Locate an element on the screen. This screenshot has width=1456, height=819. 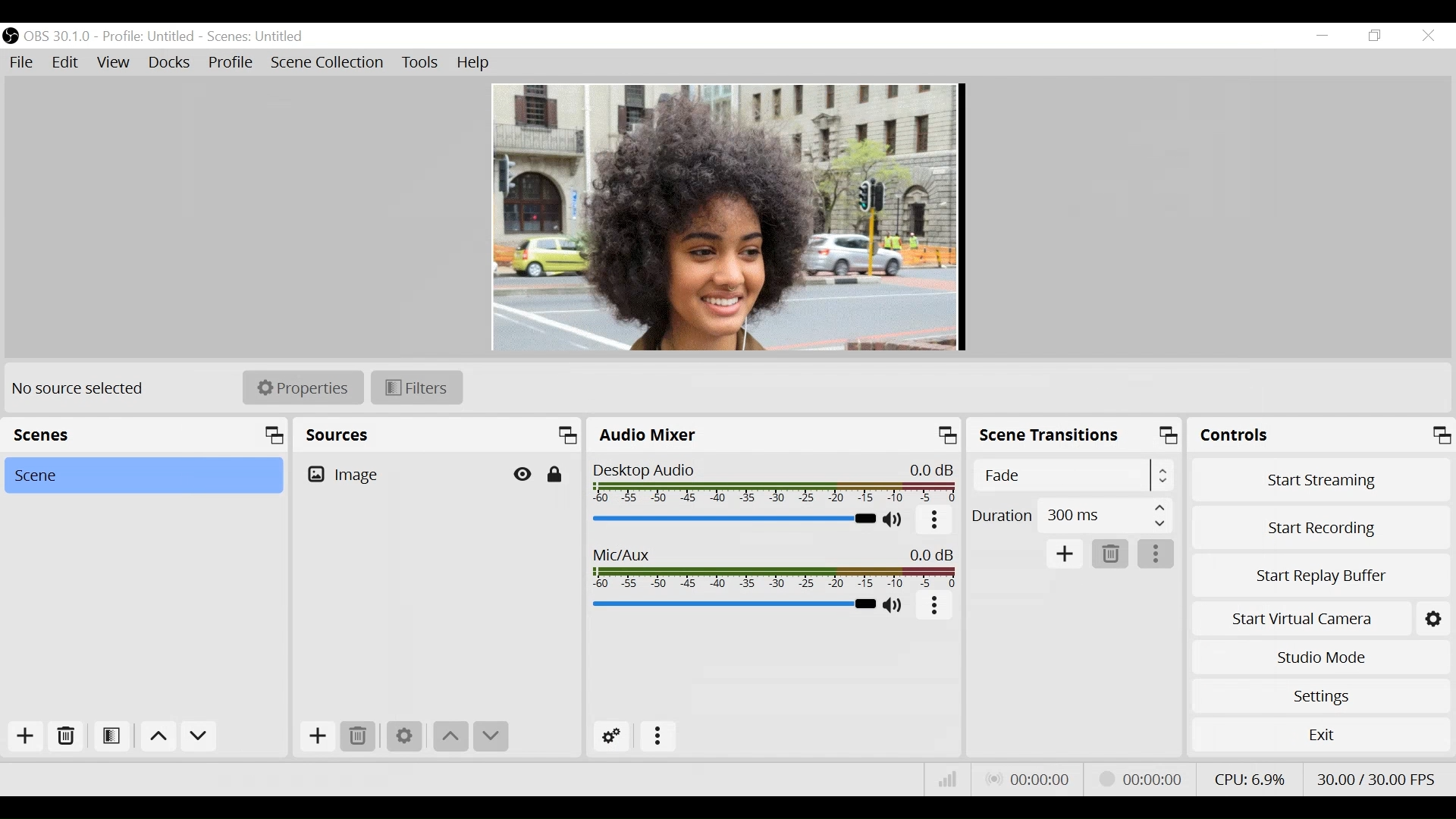
Audio Mixer Panel is located at coordinates (773, 434).